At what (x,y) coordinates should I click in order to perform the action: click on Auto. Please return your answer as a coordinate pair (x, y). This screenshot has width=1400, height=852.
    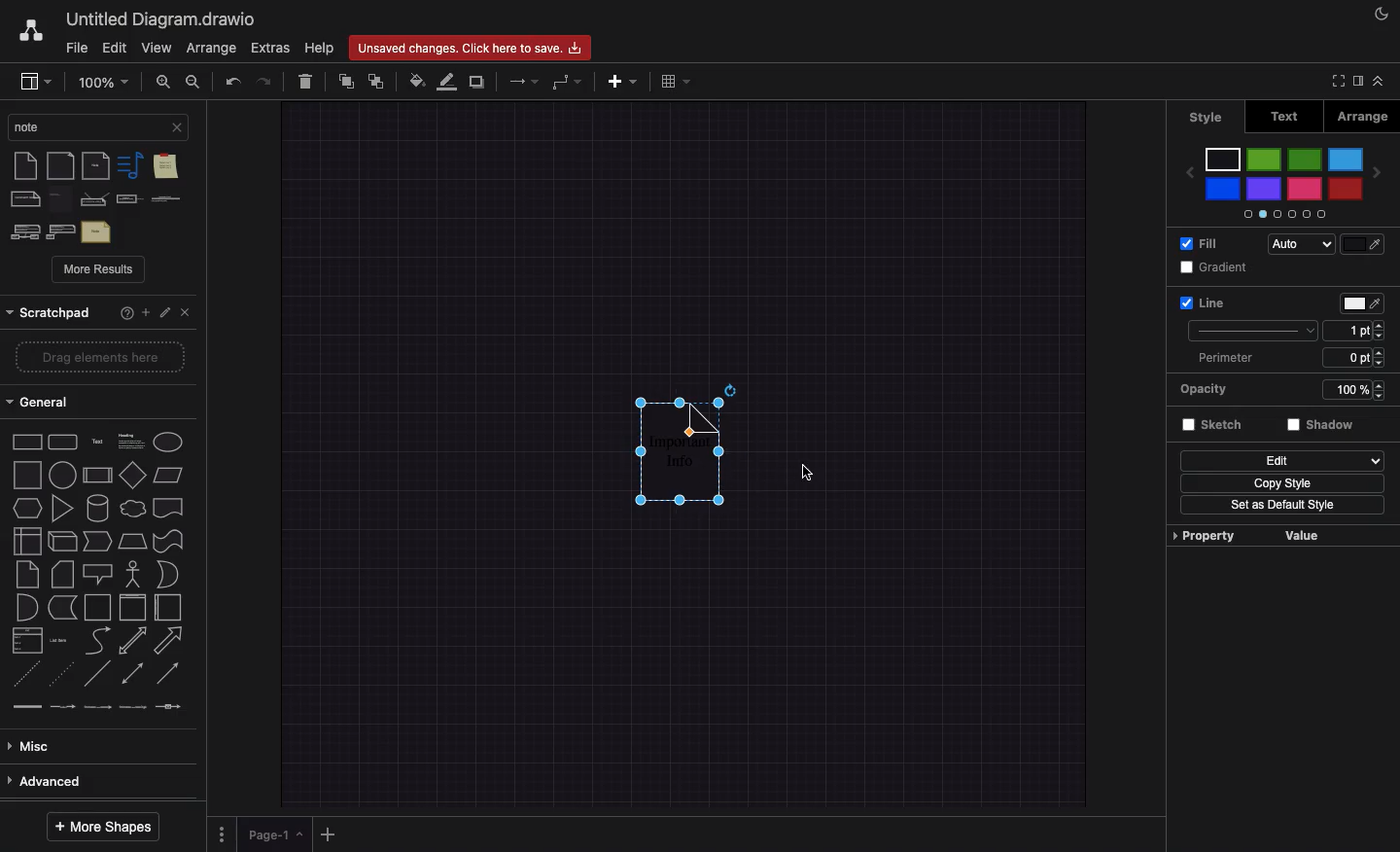
    Looking at the image, I should click on (1299, 245).